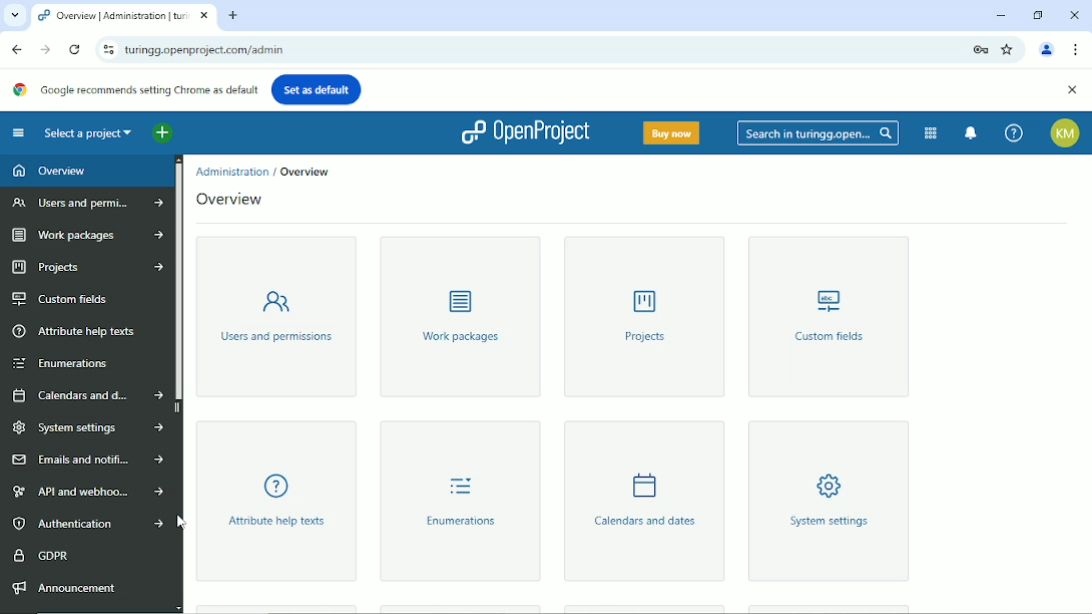  I want to click on hide sidebar, so click(179, 408).